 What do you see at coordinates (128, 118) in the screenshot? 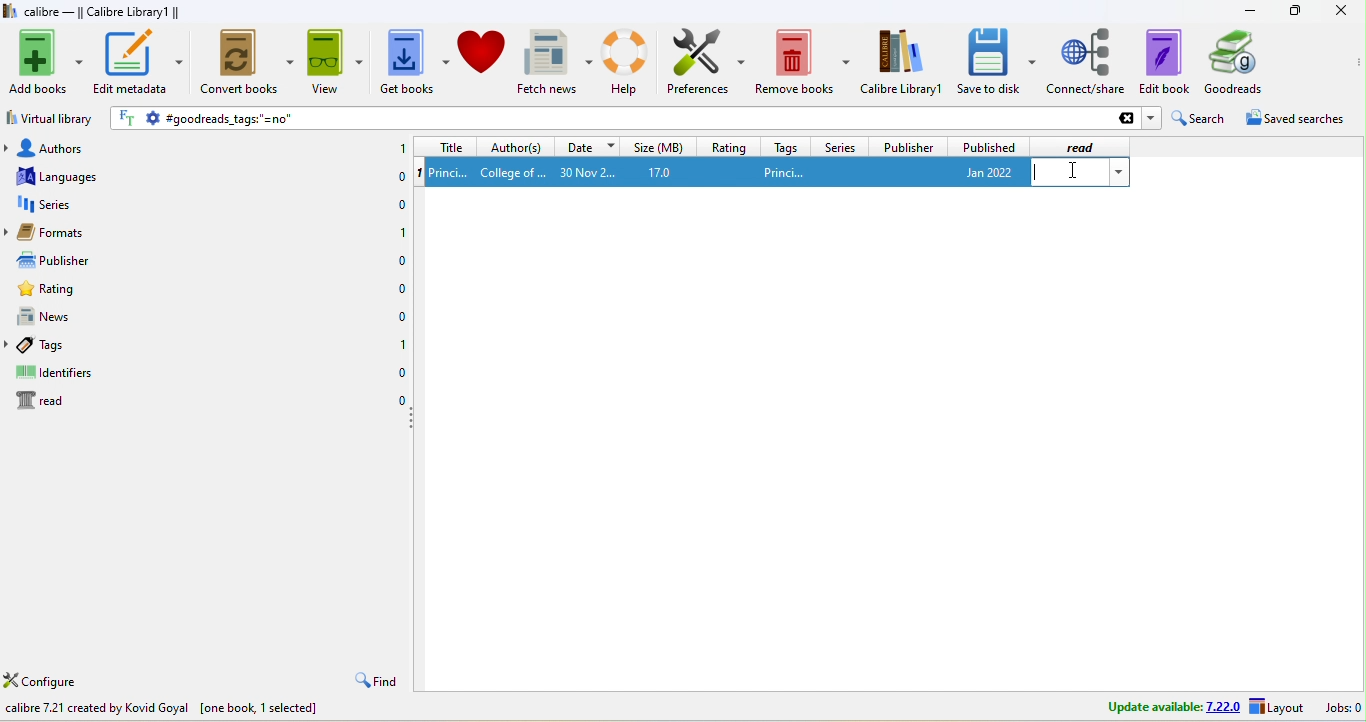
I see `FT` at bounding box center [128, 118].